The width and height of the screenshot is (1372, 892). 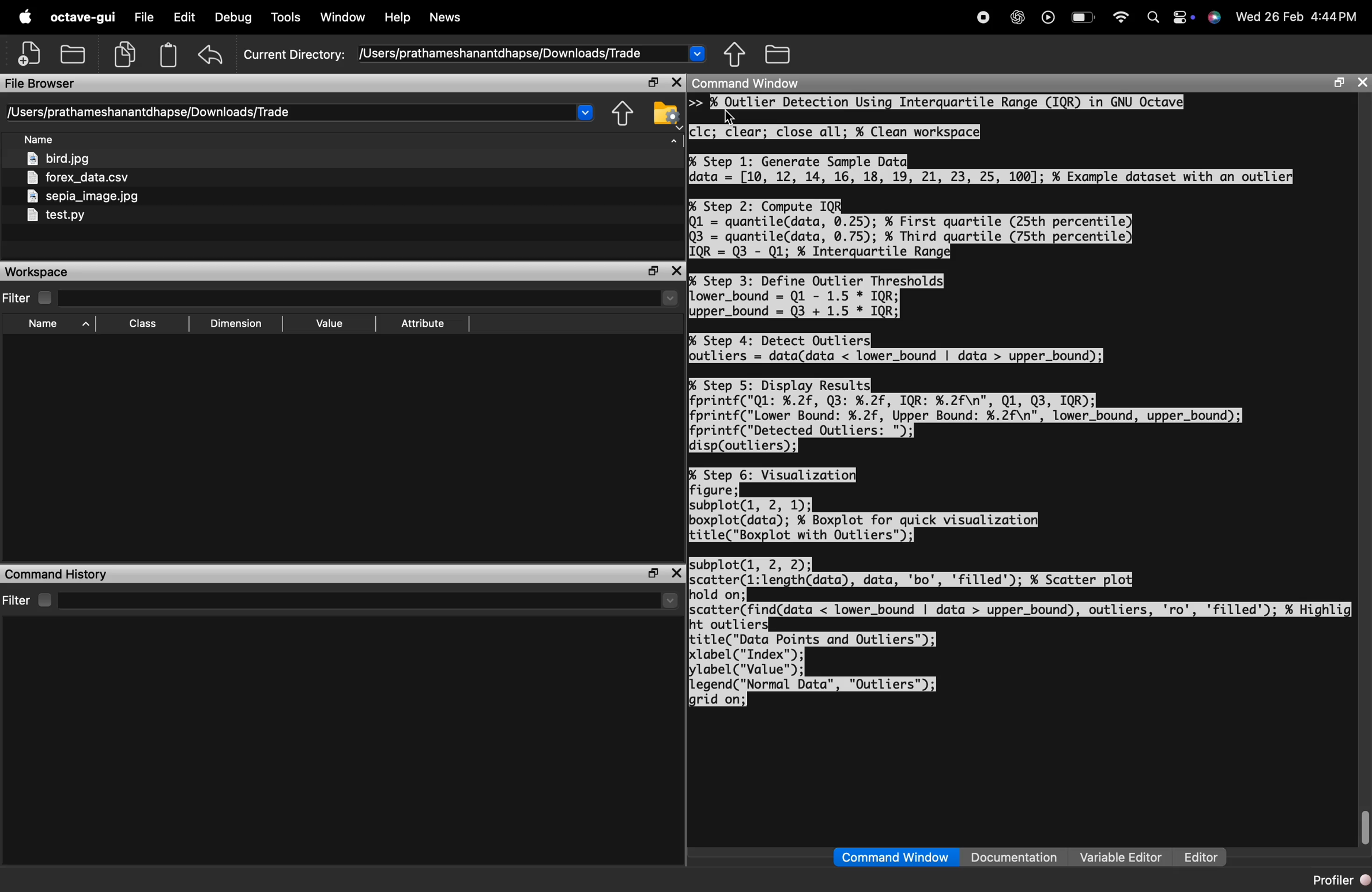 What do you see at coordinates (287, 17) in the screenshot?
I see `Tools` at bounding box center [287, 17].